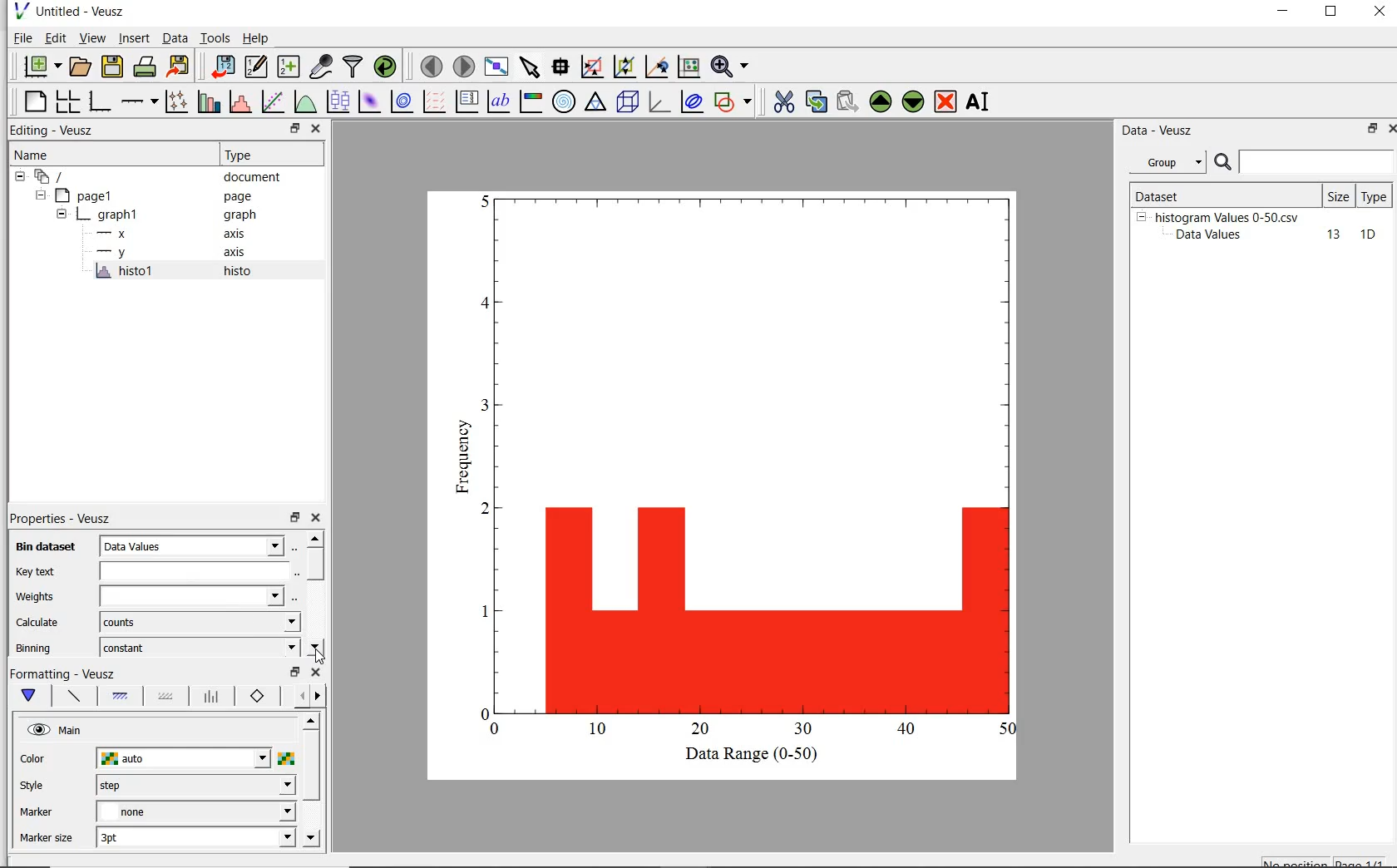  I want to click on hide, so click(62, 215).